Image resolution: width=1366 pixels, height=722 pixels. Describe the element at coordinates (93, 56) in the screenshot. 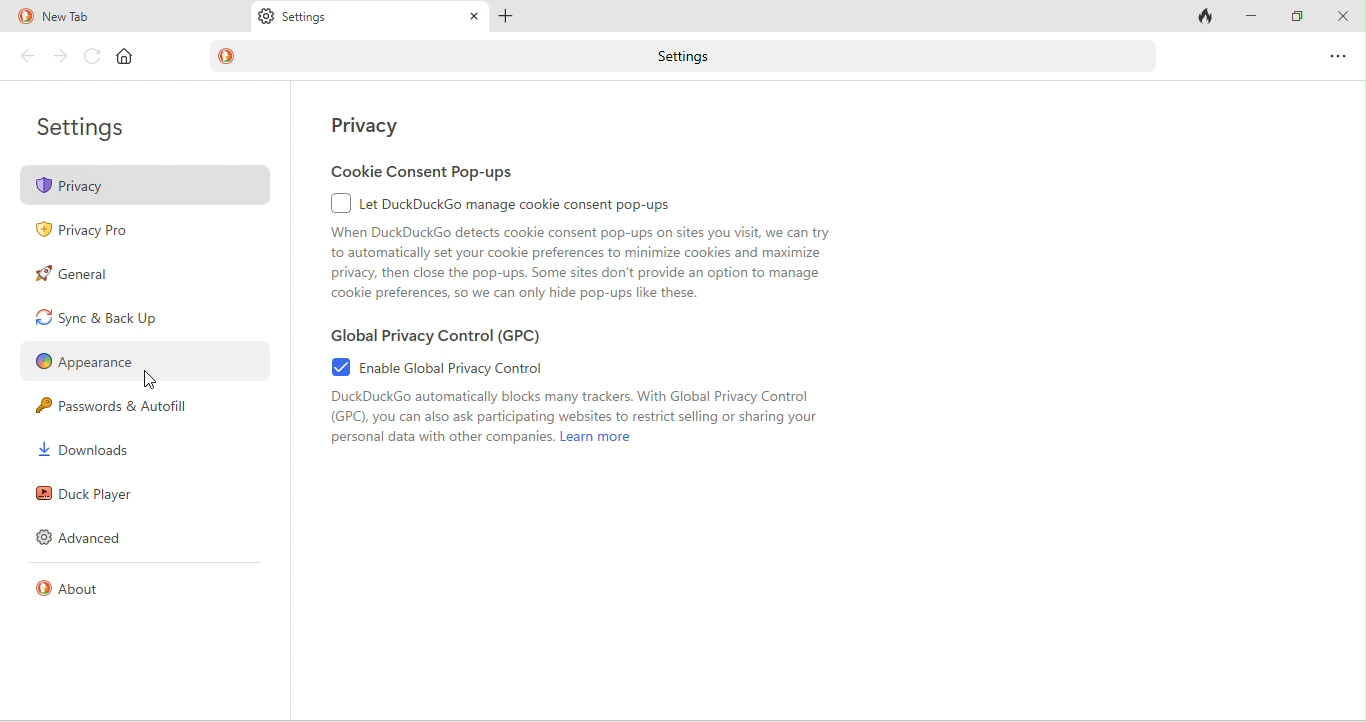

I see `reload page` at that location.